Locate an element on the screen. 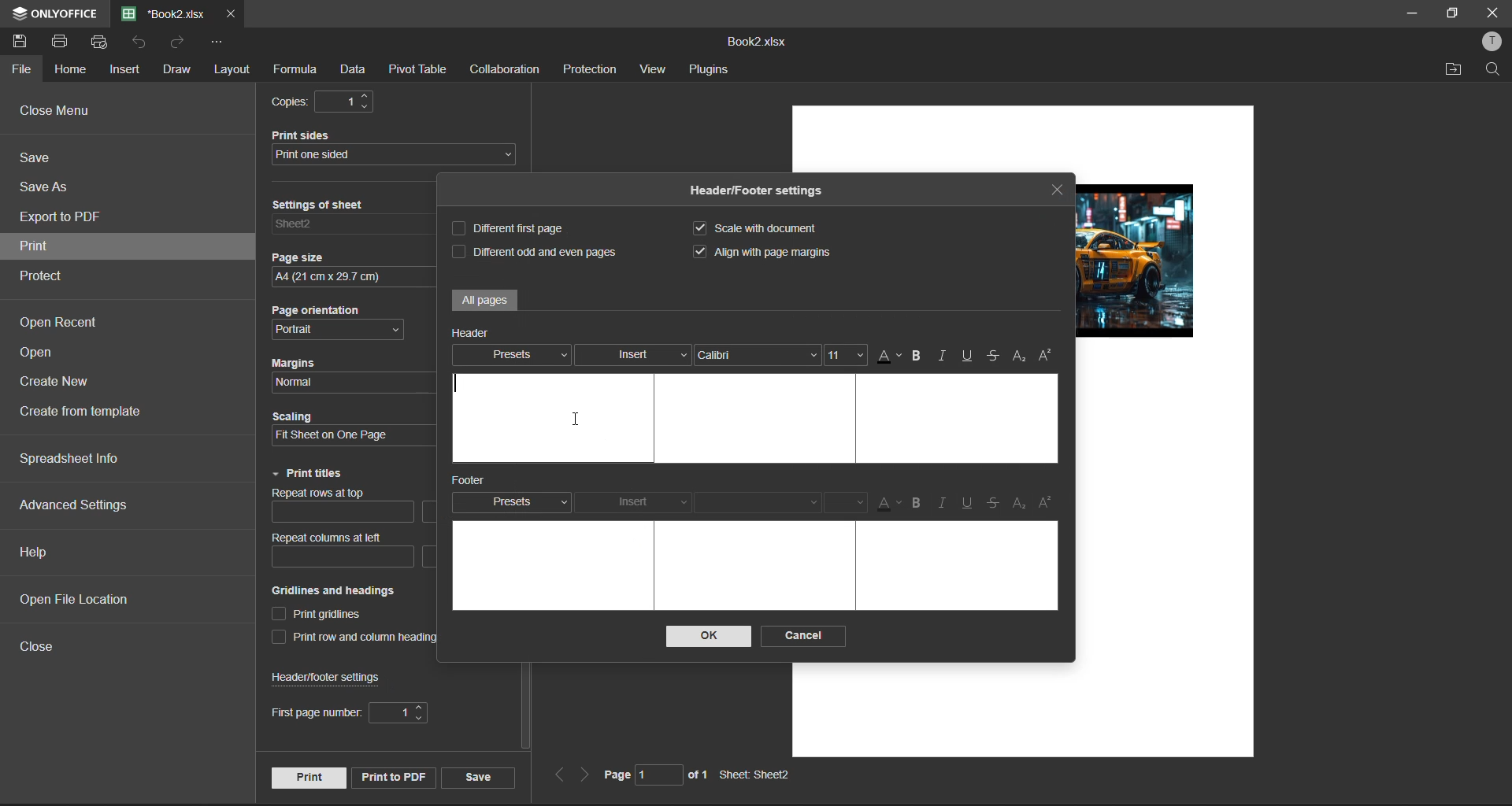 This screenshot has height=806, width=1512. font color is located at coordinates (885, 503).